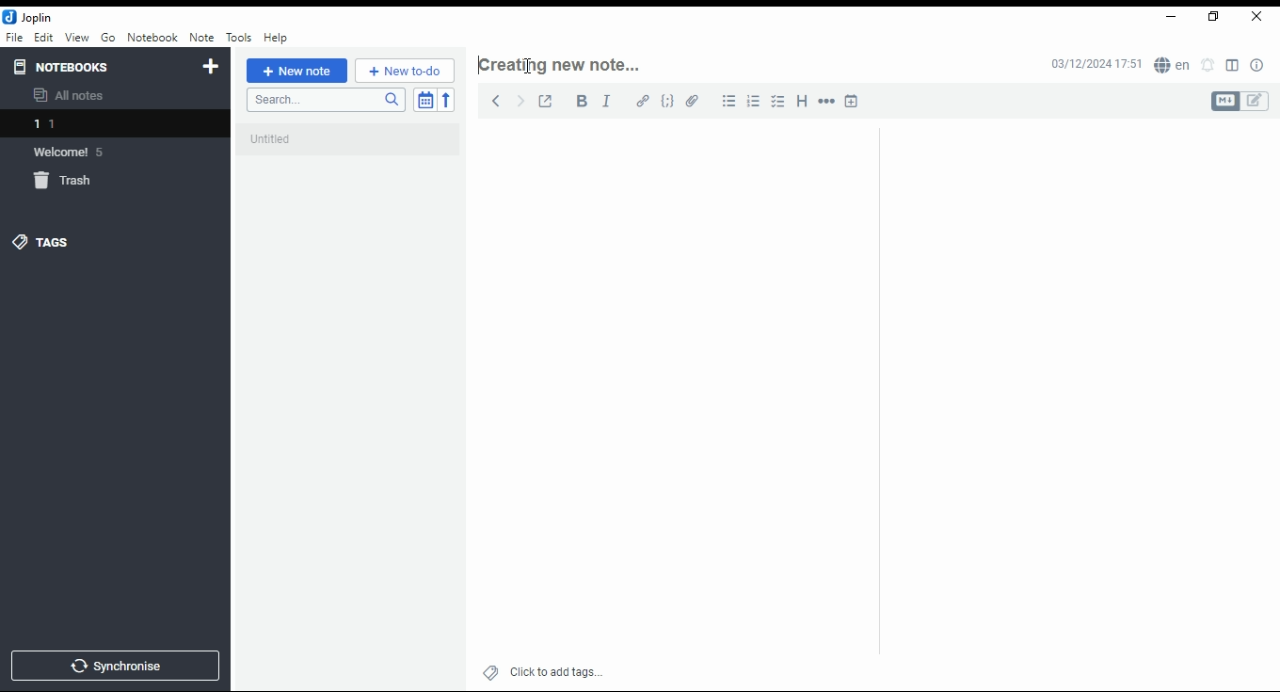  I want to click on all notes, so click(74, 96).